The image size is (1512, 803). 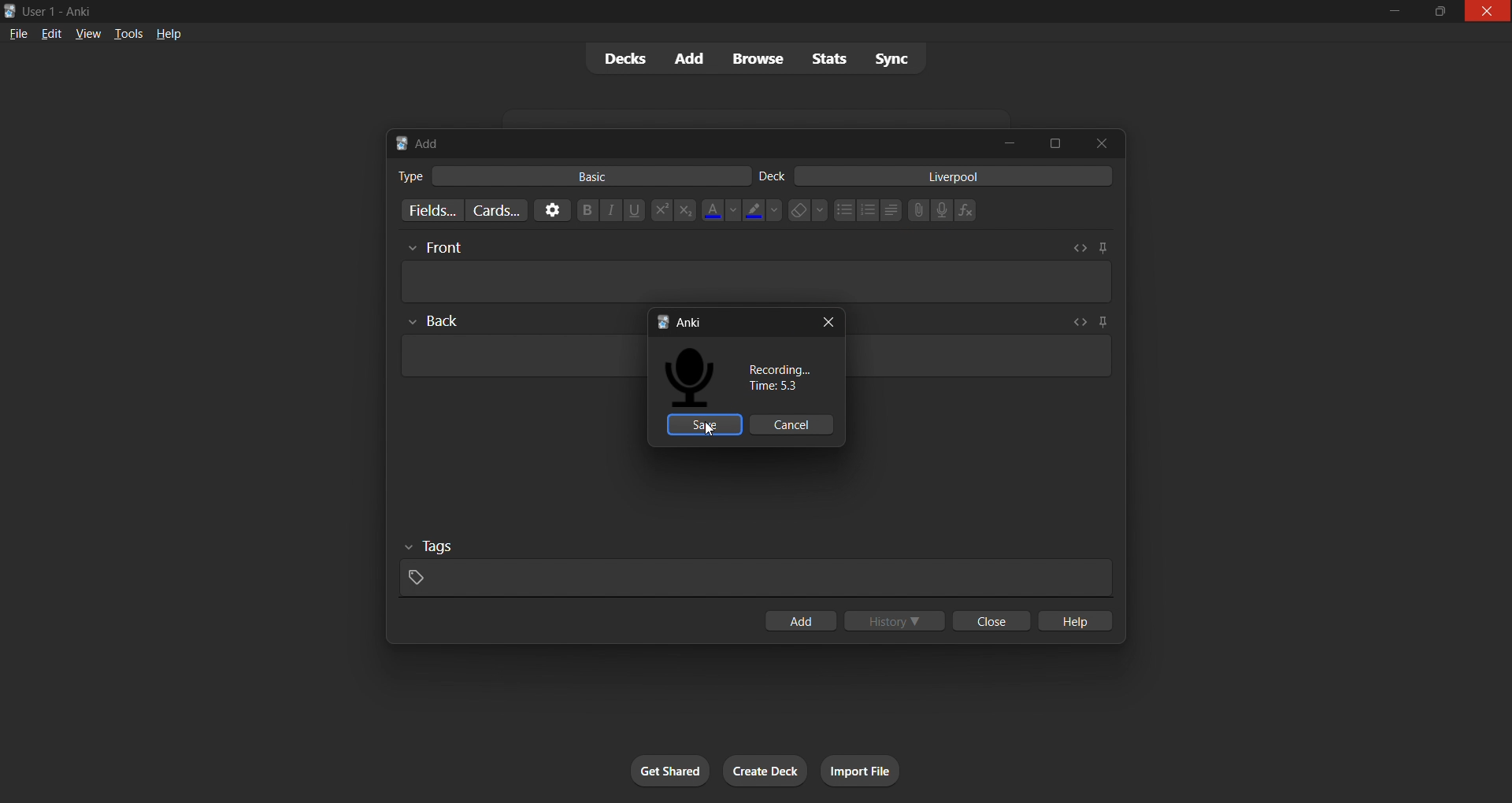 I want to click on history, so click(x=896, y=623).